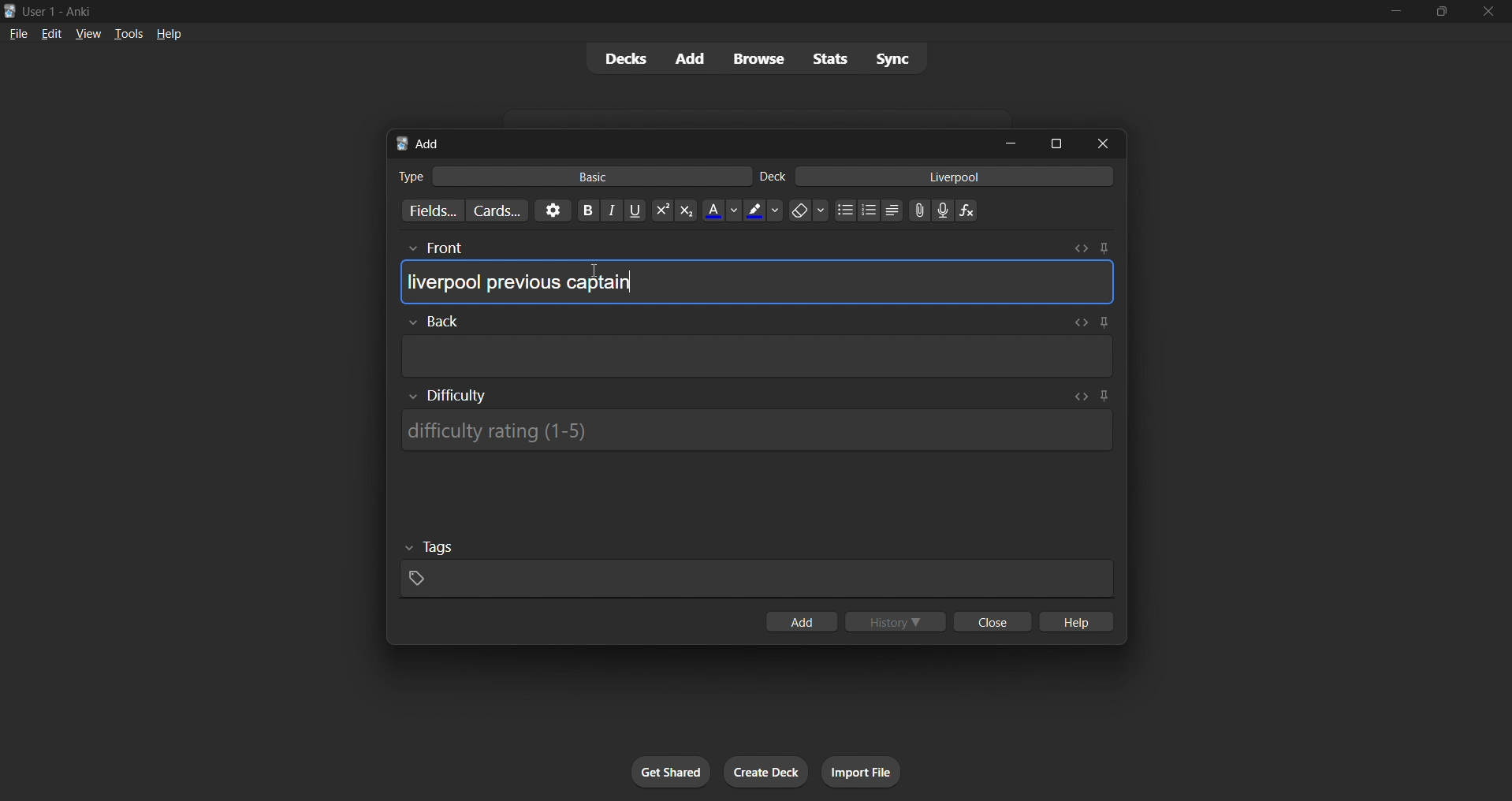 This screenshot has width=1512, height=801. I want to click on add, so click(687, 58).